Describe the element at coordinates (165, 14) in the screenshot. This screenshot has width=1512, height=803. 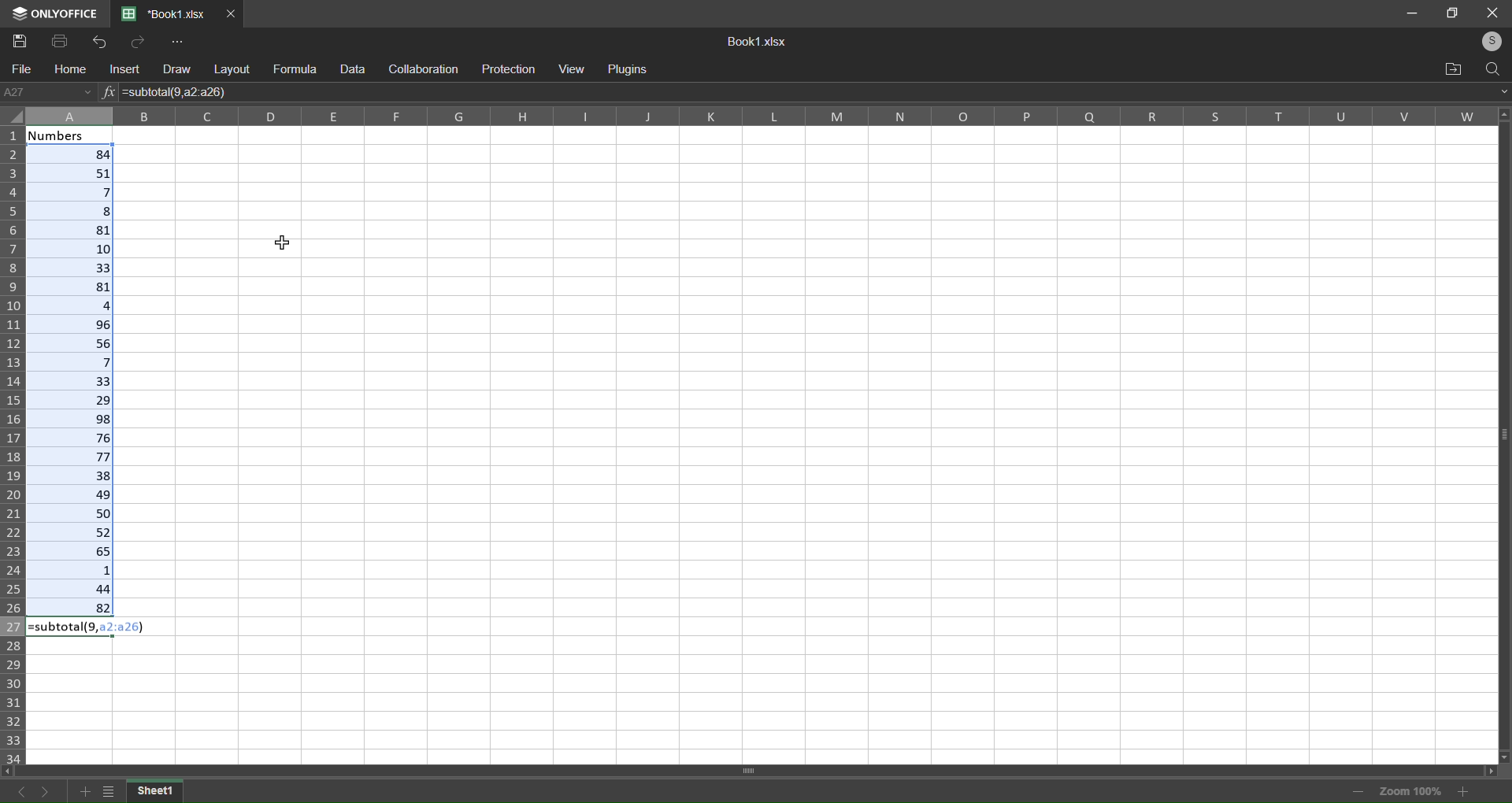
I see `*Book1.xlsx` at that location.